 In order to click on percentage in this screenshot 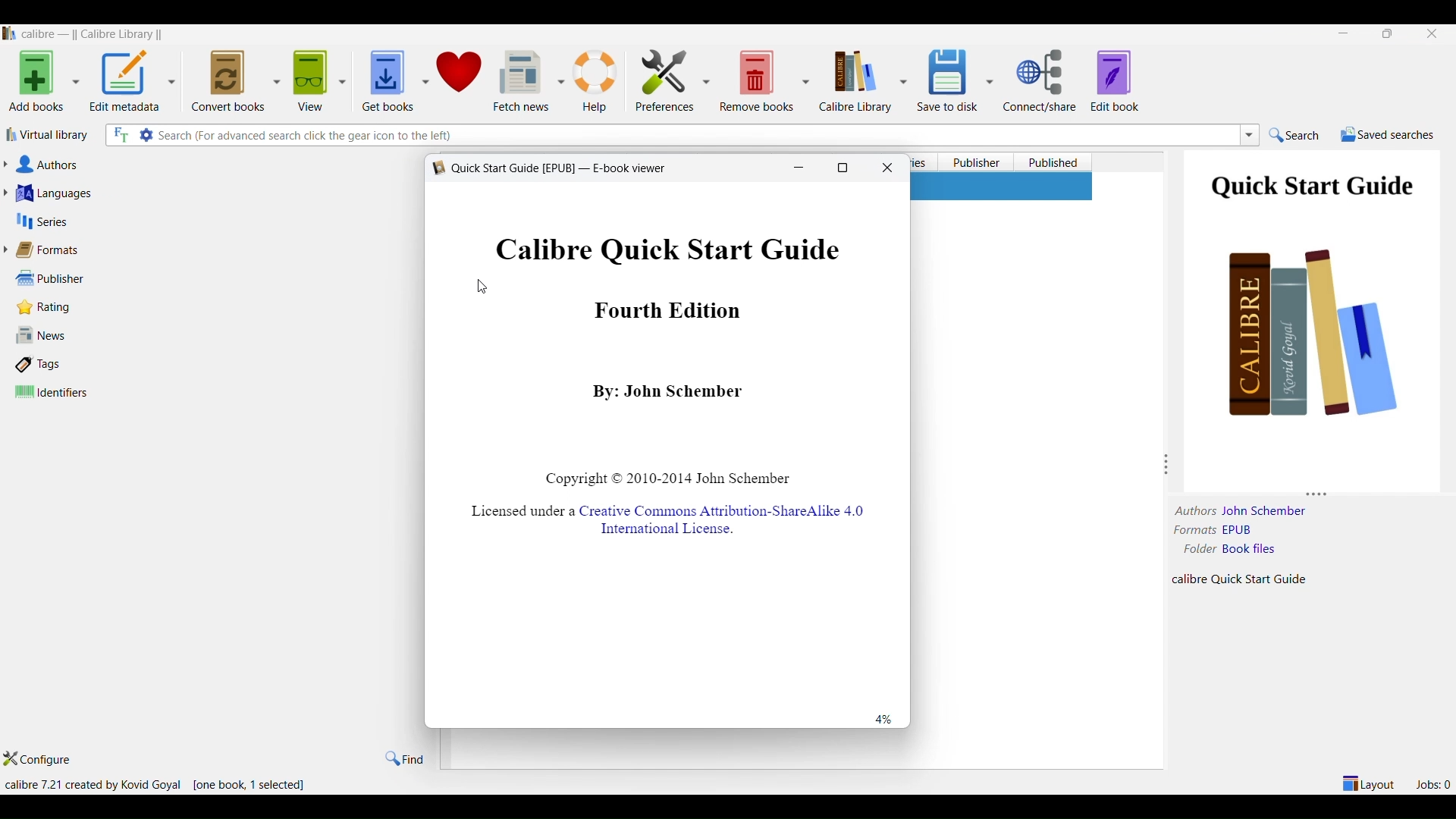, I will do `click(888, 719)`.